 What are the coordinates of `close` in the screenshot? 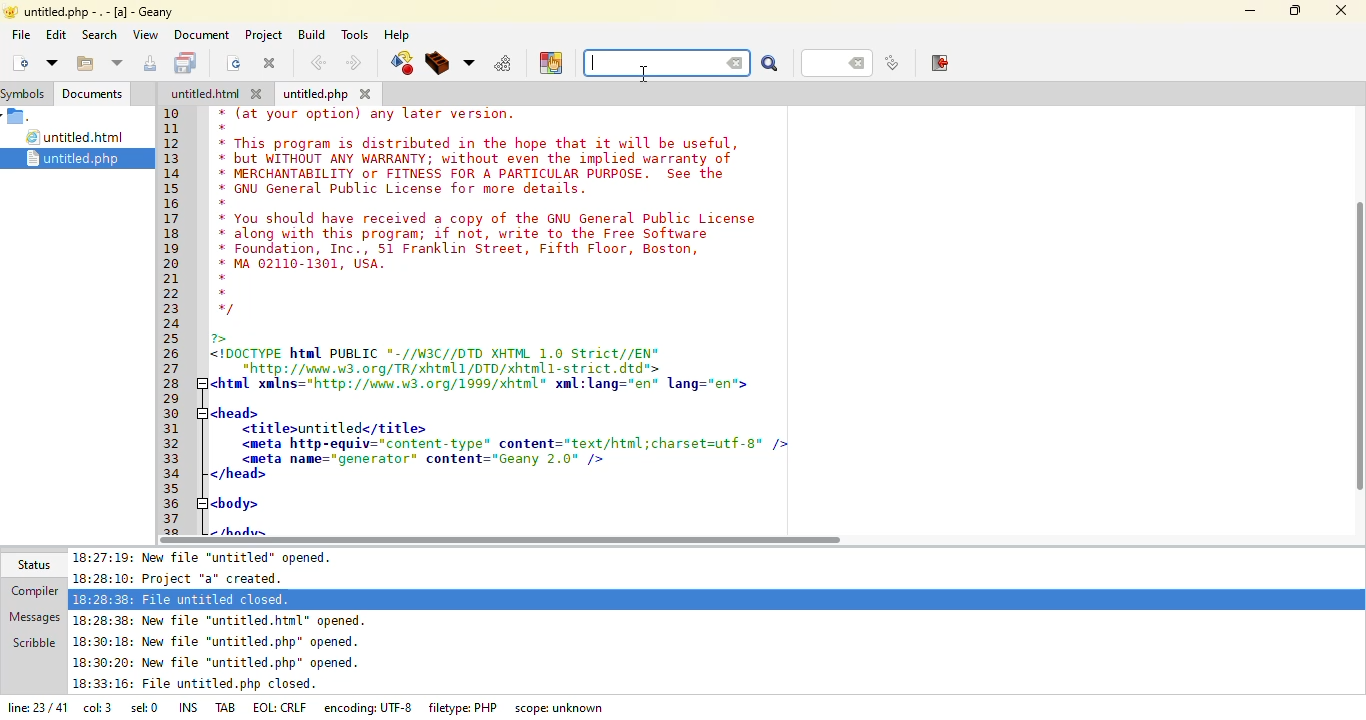 It's located at (366, 93).